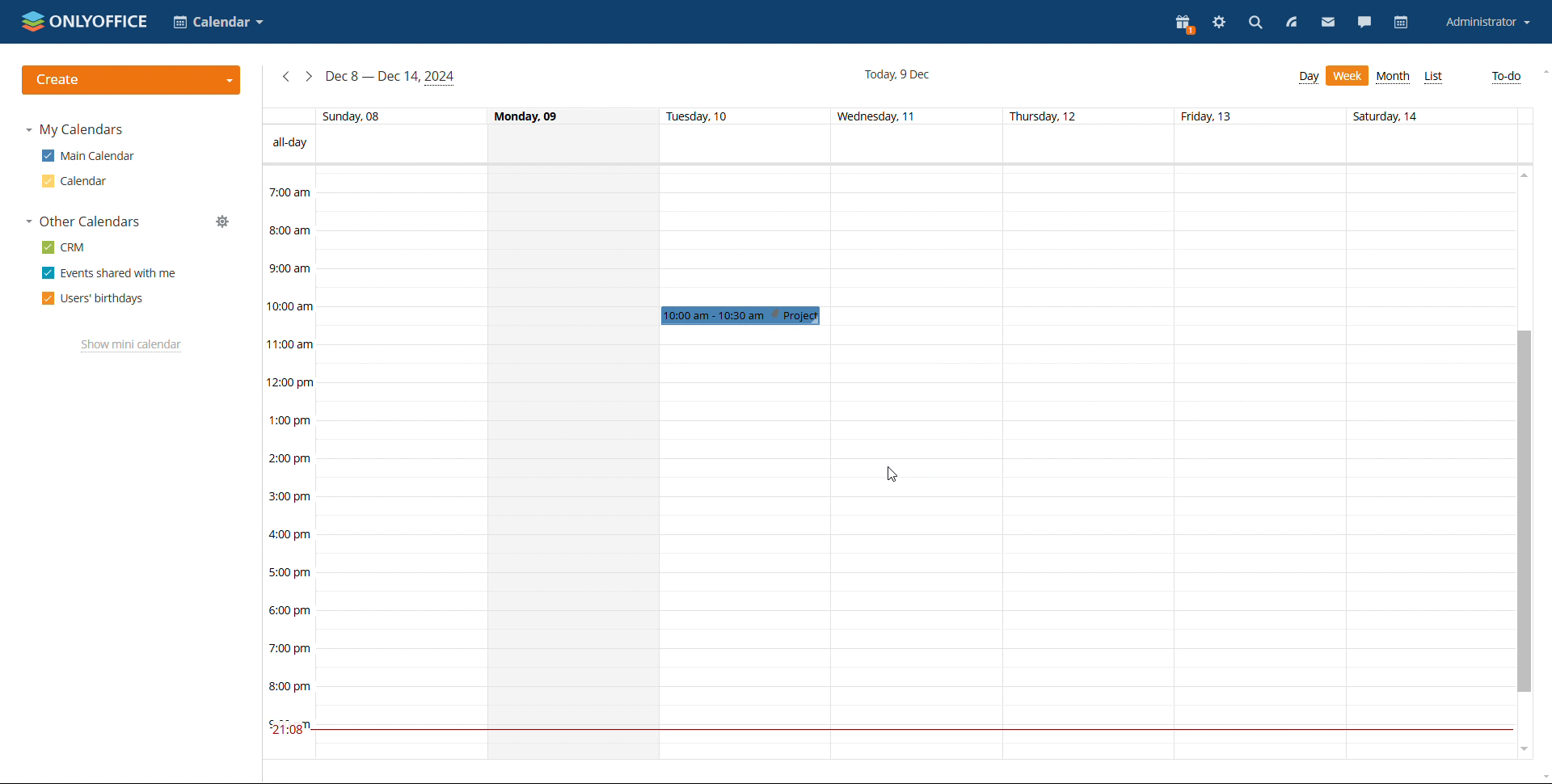 The image size is (1552, 784). I want to click on events shared with me, so click(110, 273).